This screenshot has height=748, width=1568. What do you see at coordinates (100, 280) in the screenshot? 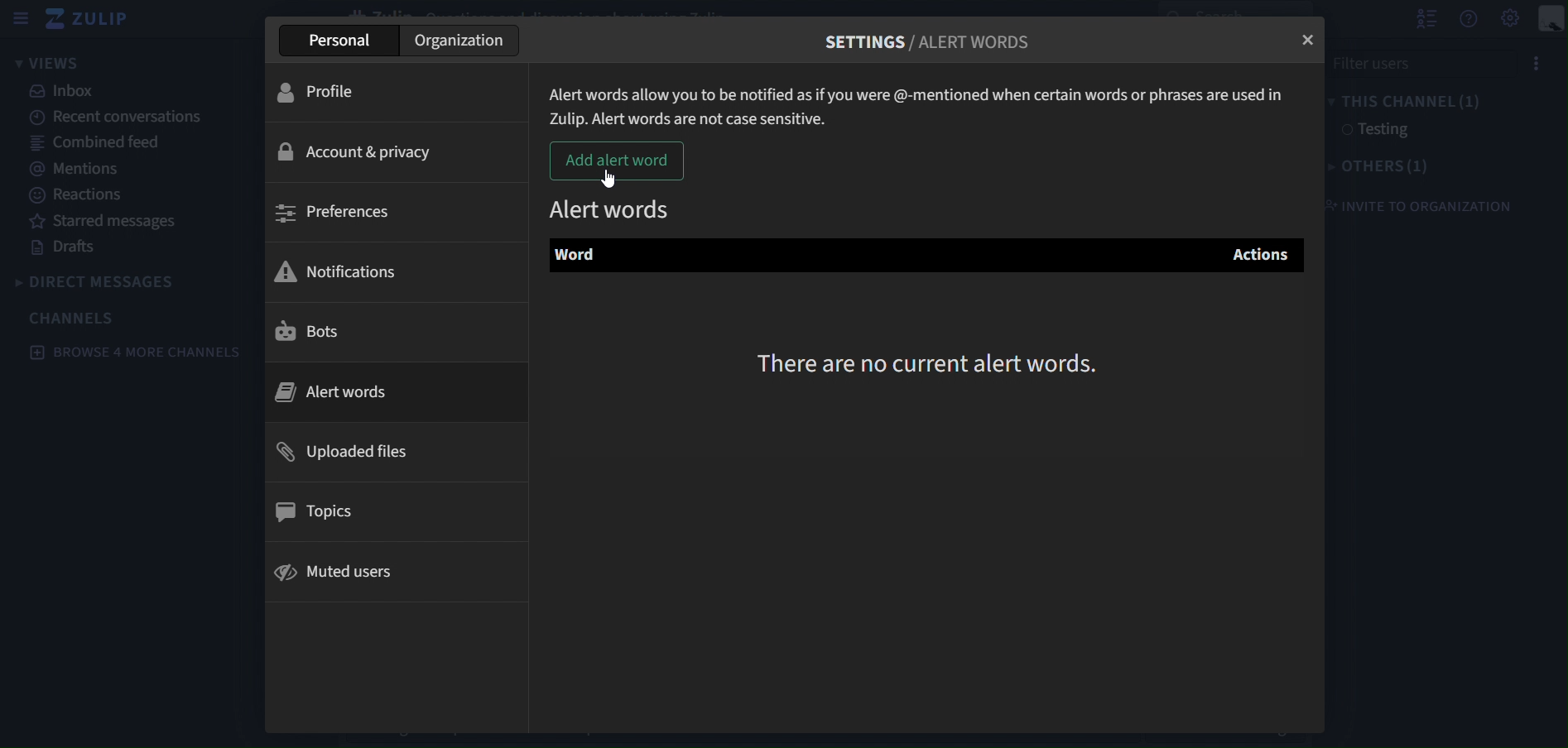
I see `direct messages` at bounding box center [100, 280].